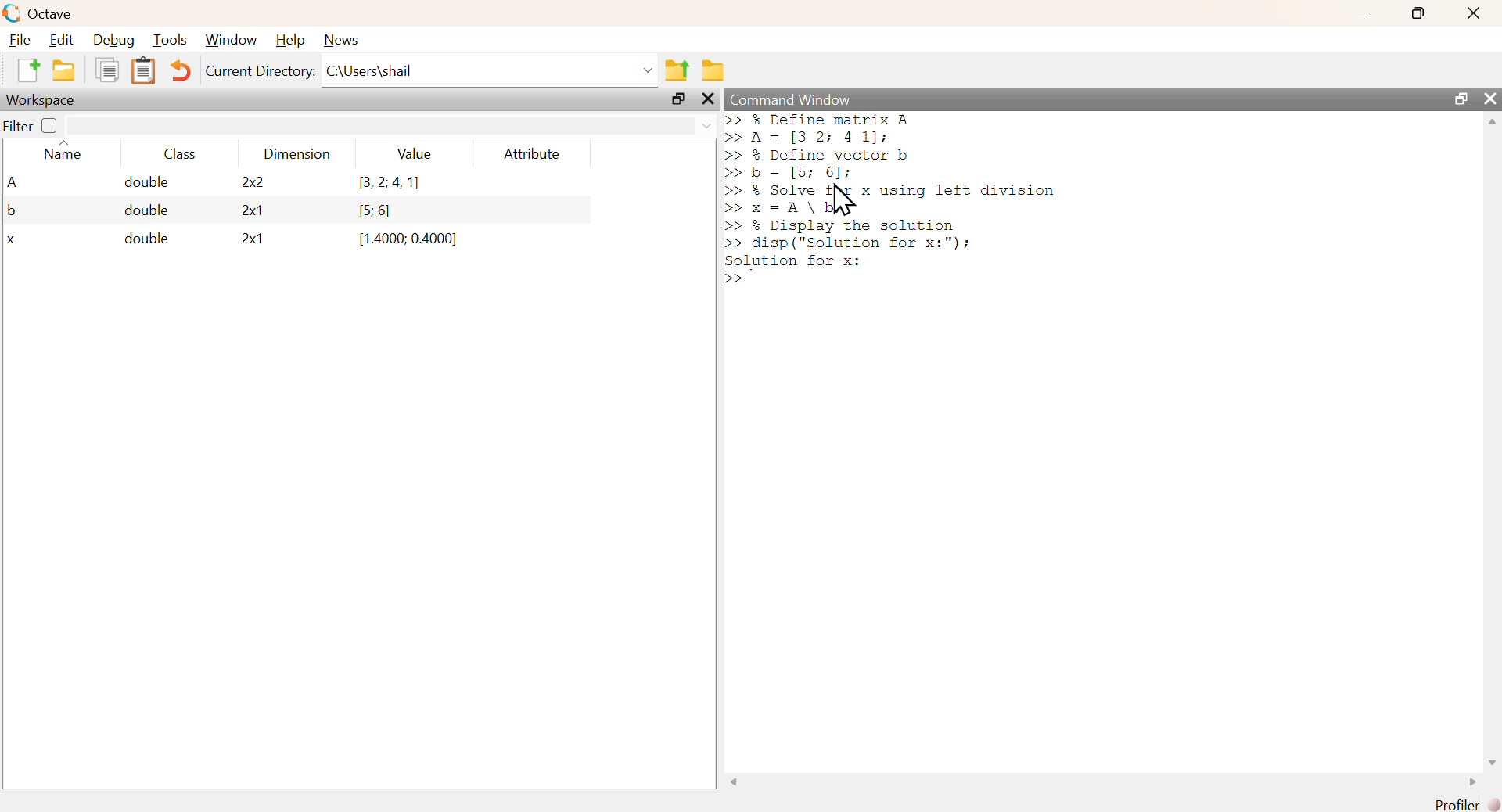 This screenshot has height=812, width=1502. I want to click on window, so click(231, 41).